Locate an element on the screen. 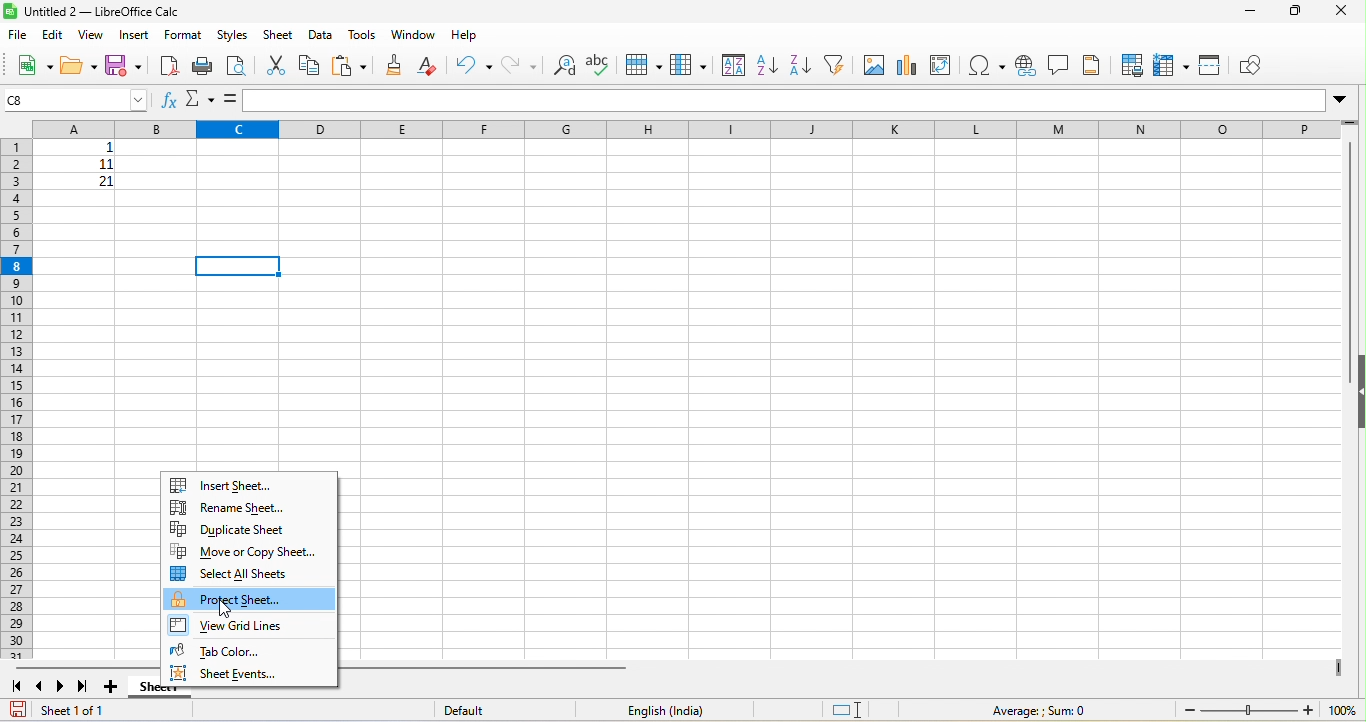 Image resolution: width=1366 pixels, height=722 pixels. copy is located at coordinates (310, 67).